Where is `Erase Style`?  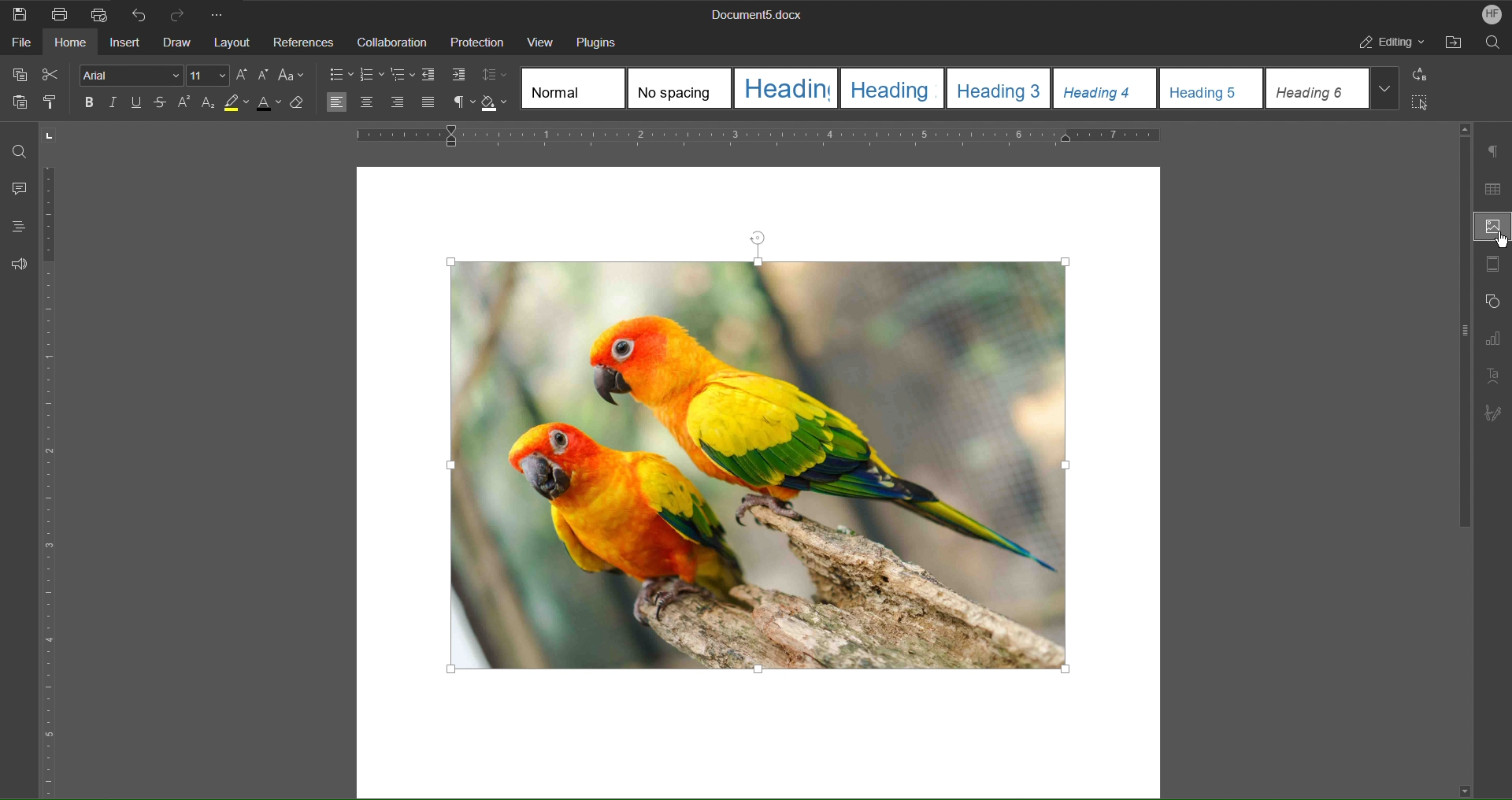 Erase Style is located at coordinates (306, 107).